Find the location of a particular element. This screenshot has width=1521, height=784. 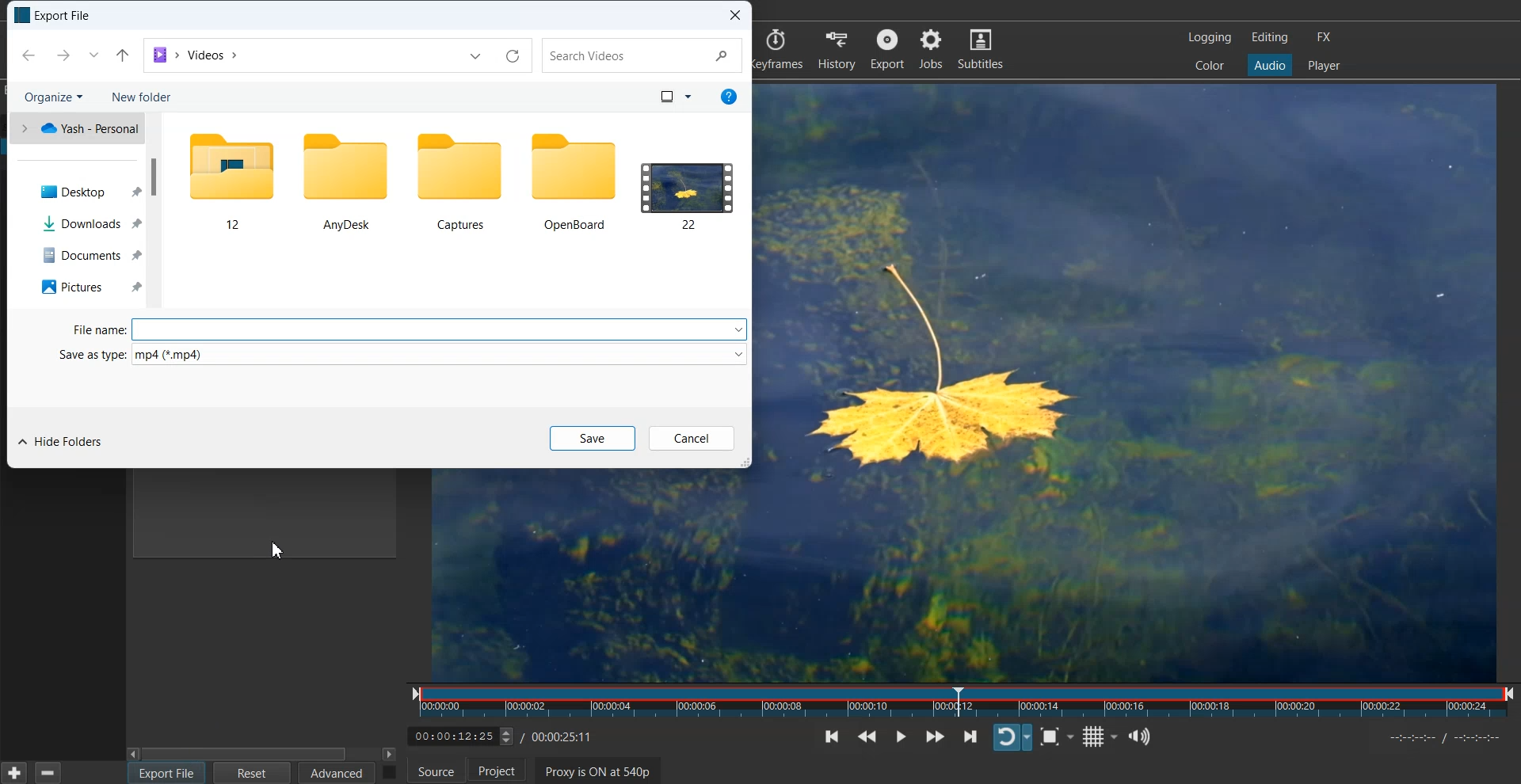

previous is located at coordinates (26, 55).